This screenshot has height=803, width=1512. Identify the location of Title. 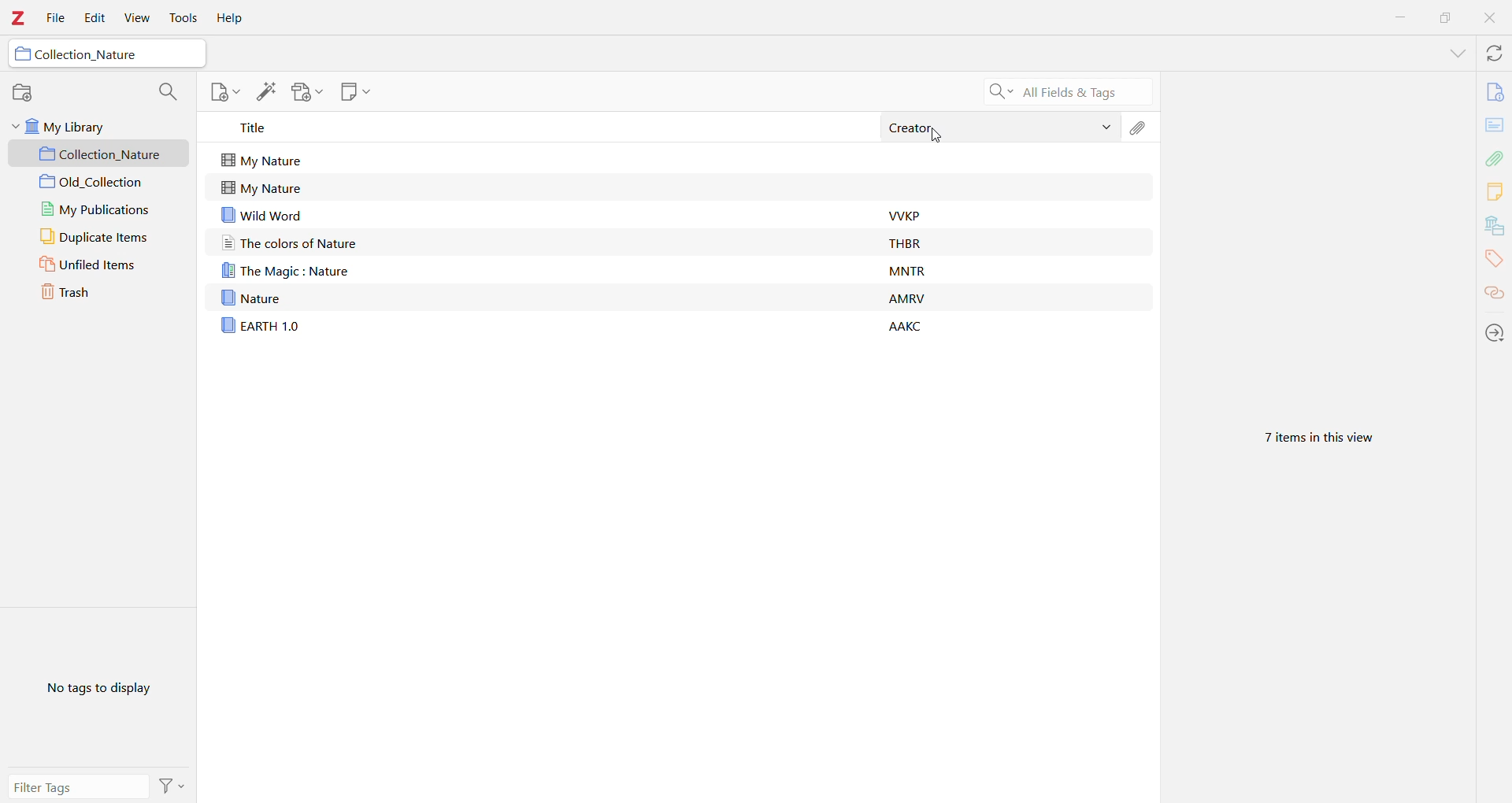
(538, 128).